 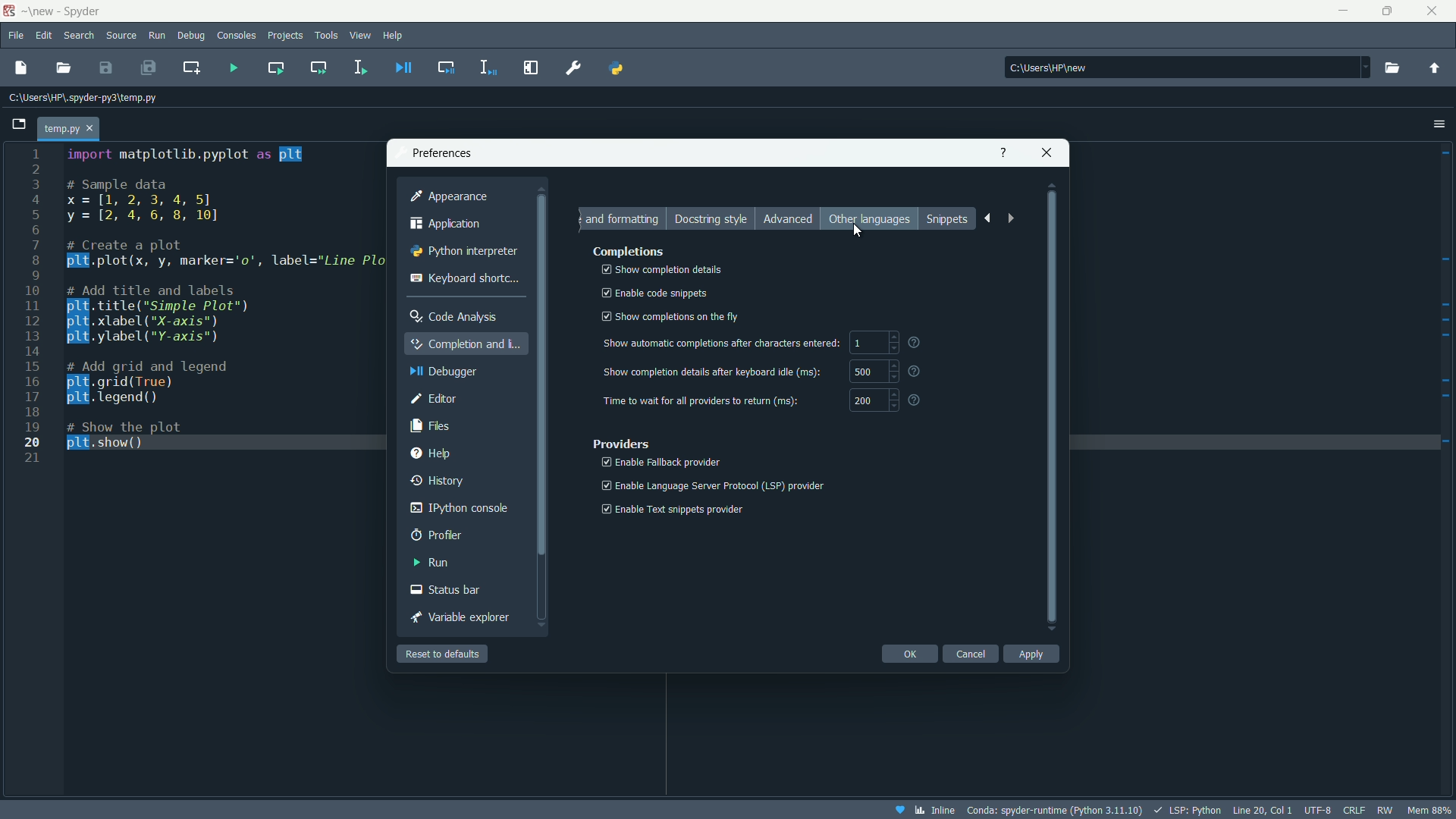 What do you see at coordinates (64, 68) in the screenshot?
I see `open file` at bounding box center [64, 68].